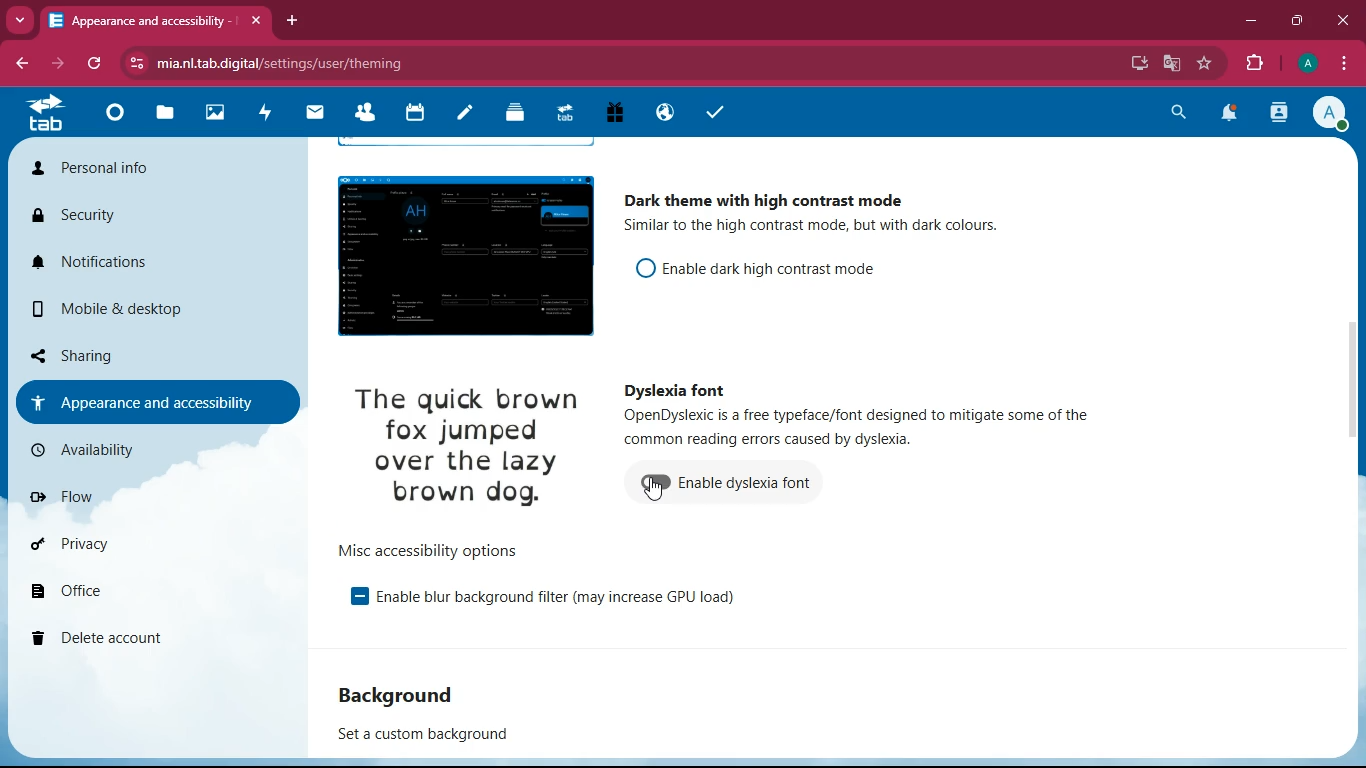  I want to click on sharing, so click(144, 354).